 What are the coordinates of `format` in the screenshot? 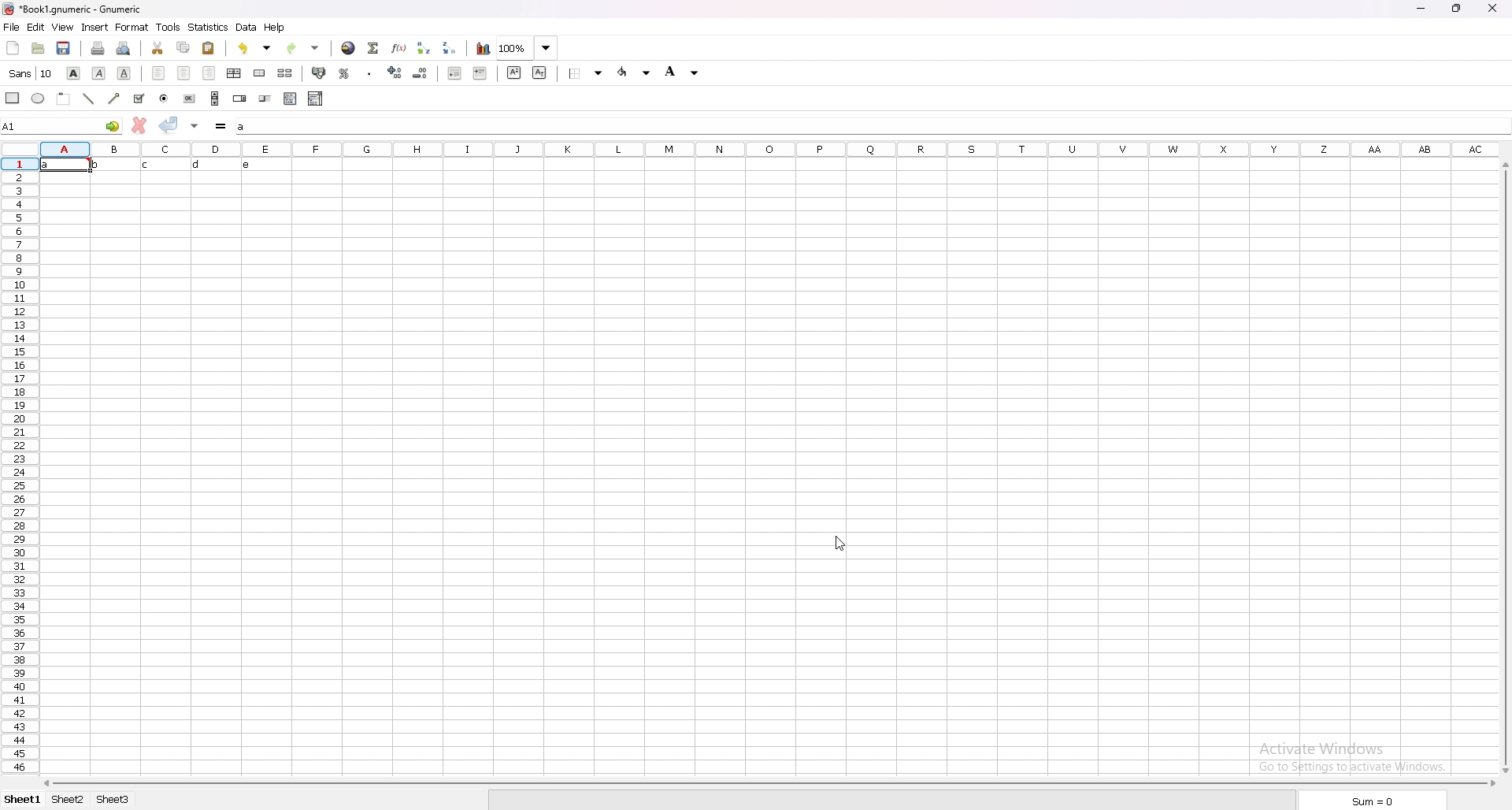 It's located at (132, 27).